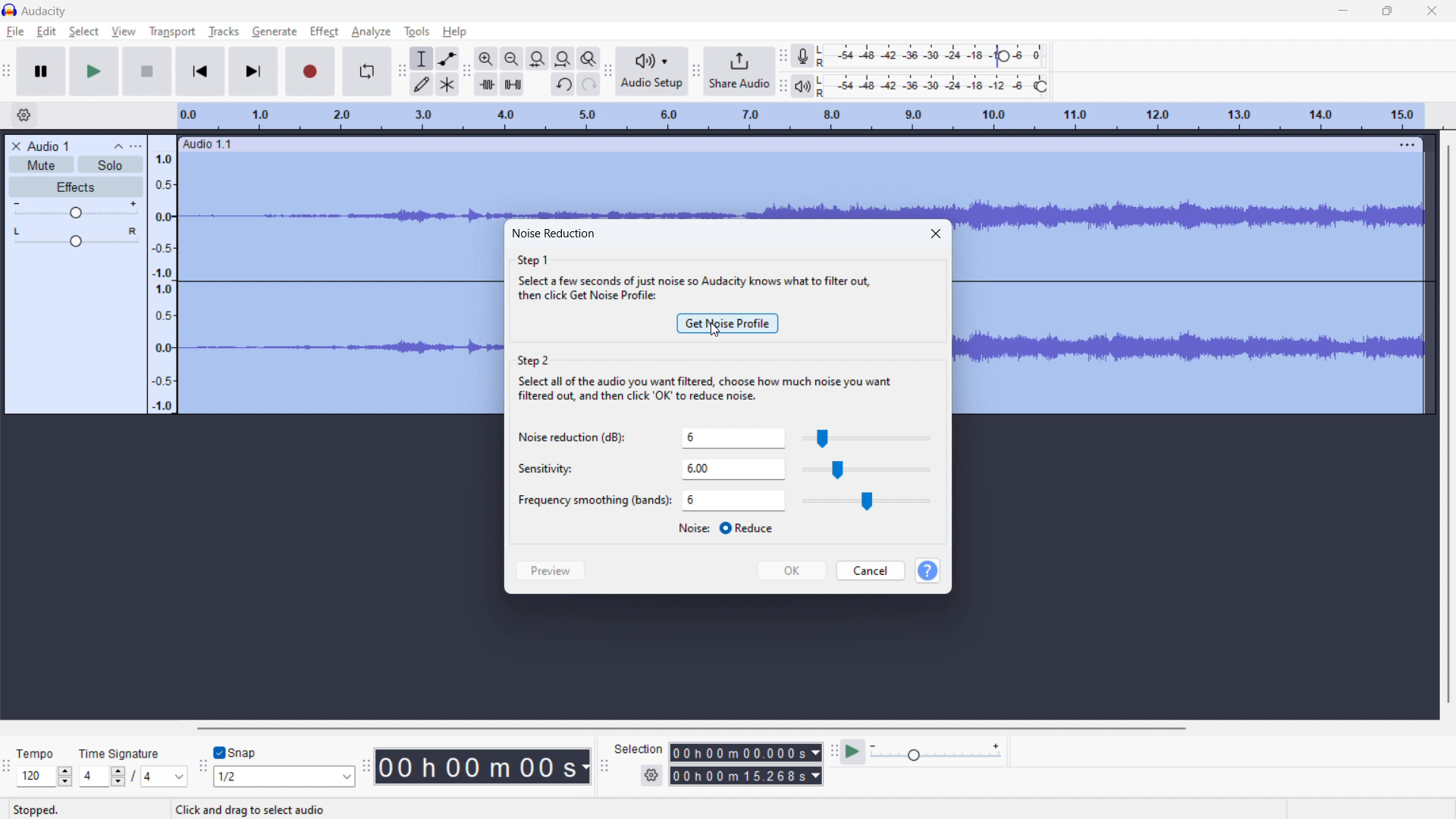 This screenshot has height=819, width=1456. What do you see at coordinates (402, 71) in the screenshot?
I see `tools toolbar` at bounding box center [402, 71].